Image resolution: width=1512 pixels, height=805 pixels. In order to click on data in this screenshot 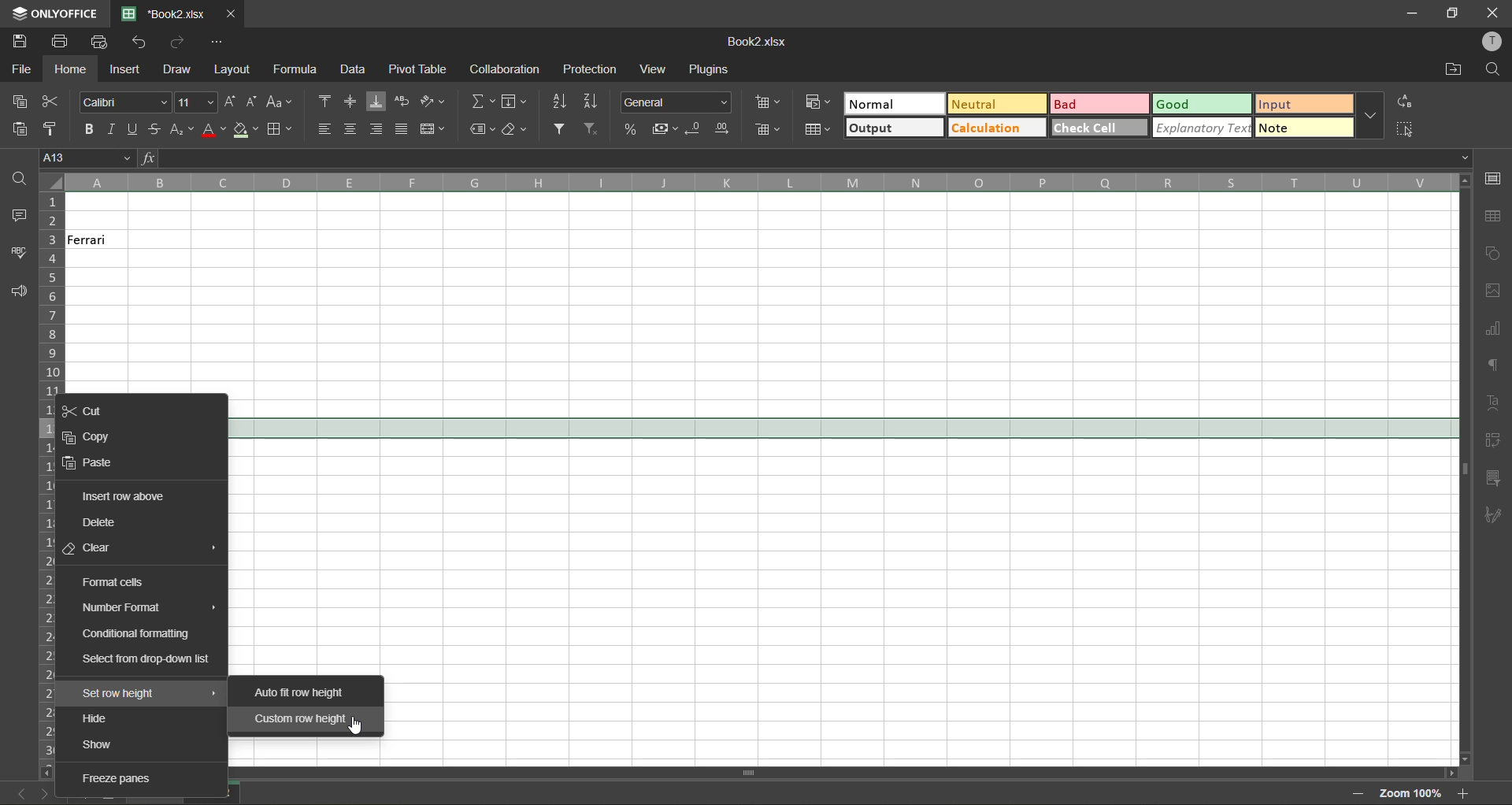, I will do `click(350, 70)`.